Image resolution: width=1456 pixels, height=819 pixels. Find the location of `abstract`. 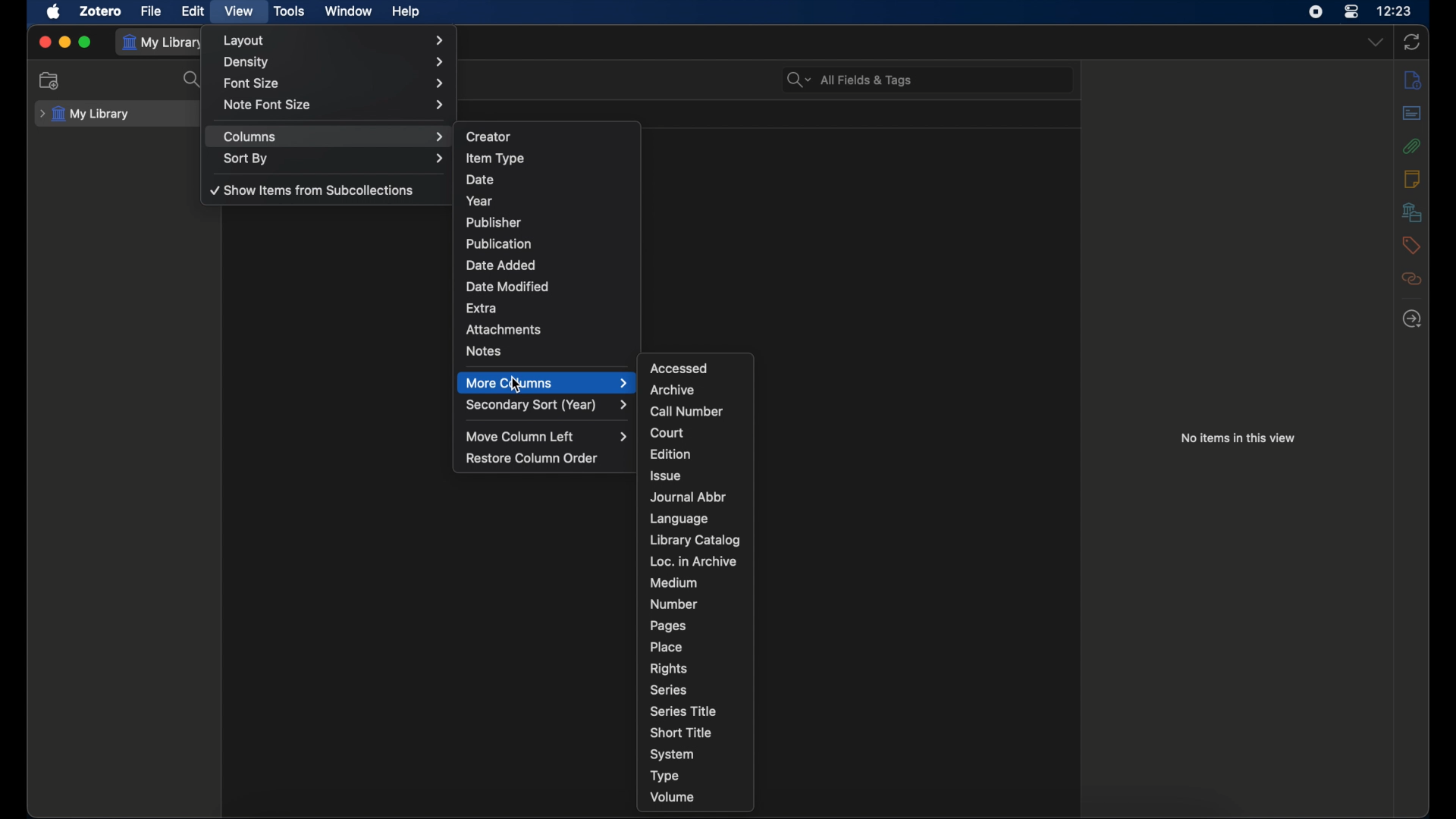

abstract is located at coordinates (1412, 113).